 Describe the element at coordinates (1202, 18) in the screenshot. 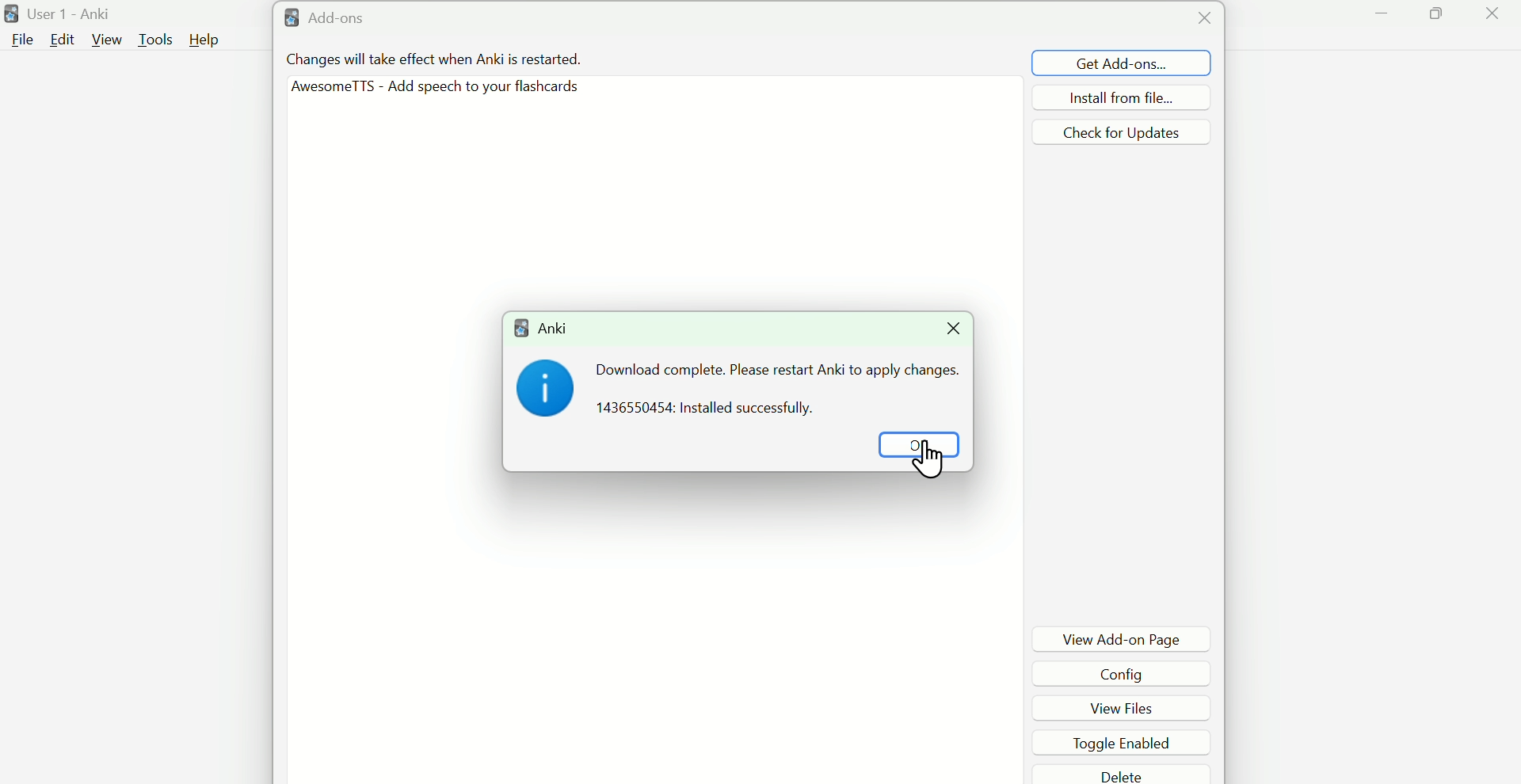

I see `close ` at that location.